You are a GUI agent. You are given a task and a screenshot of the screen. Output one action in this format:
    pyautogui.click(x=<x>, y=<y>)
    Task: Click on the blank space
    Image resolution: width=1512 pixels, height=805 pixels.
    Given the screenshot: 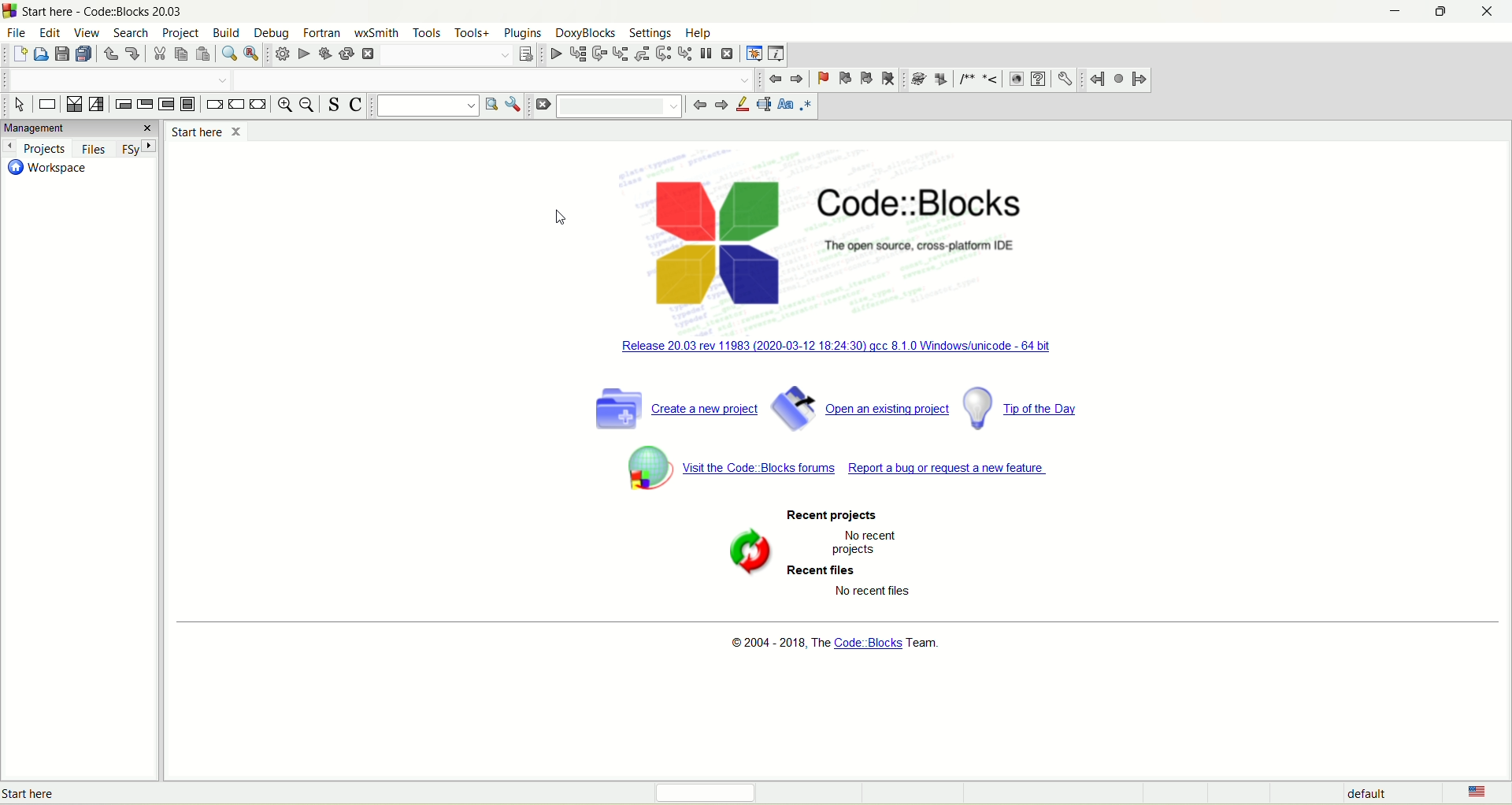 What is the action you would take?
    pyautogui.click(x=618, y=106)
    